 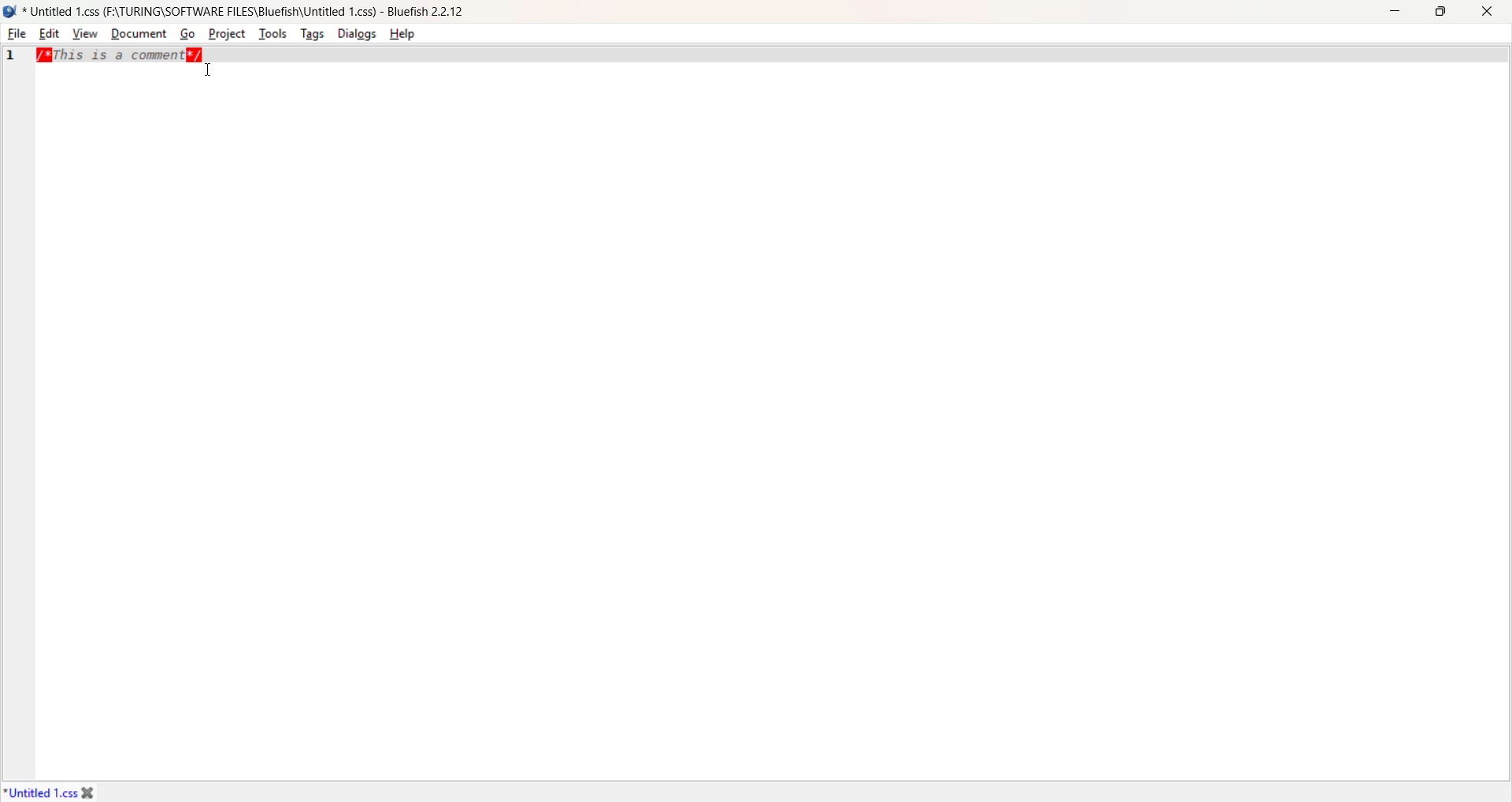 I want to click on *Untitled1.css, so click(x=51, y=792).